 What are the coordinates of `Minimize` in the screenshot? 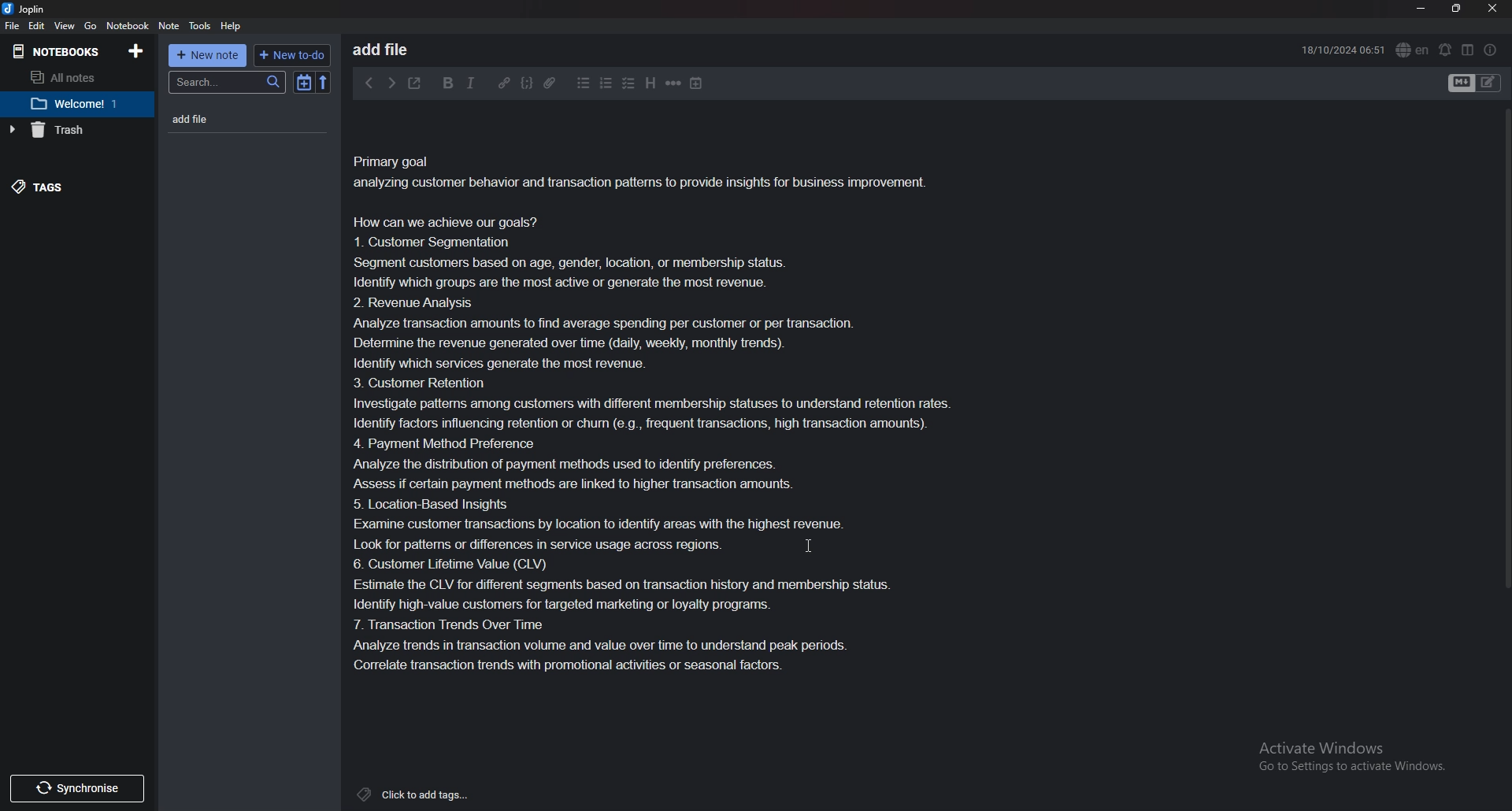 It's located at (1421, 9).